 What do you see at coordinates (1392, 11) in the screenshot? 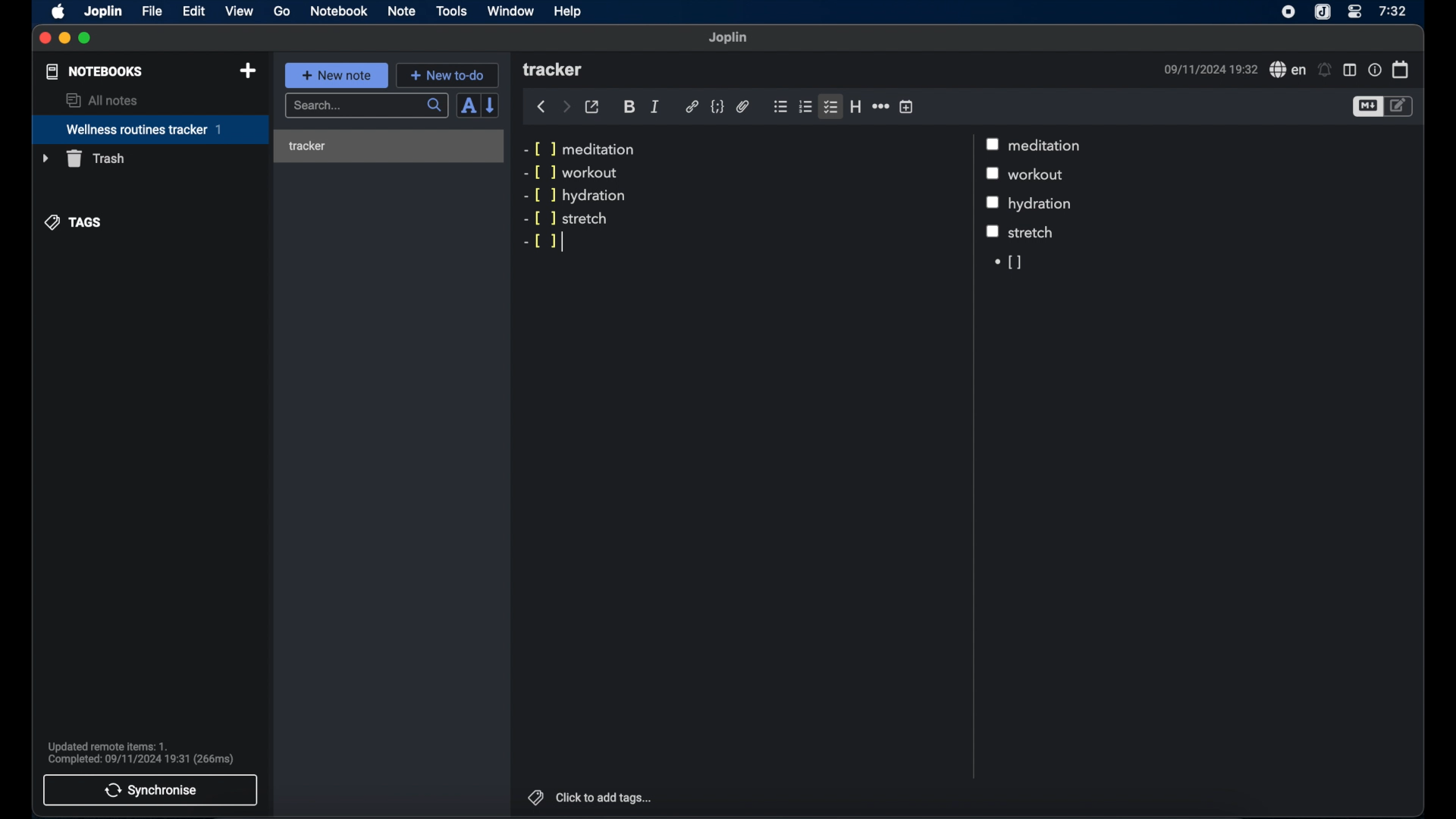
I see `7:32` at bounding box center [1392, 11].